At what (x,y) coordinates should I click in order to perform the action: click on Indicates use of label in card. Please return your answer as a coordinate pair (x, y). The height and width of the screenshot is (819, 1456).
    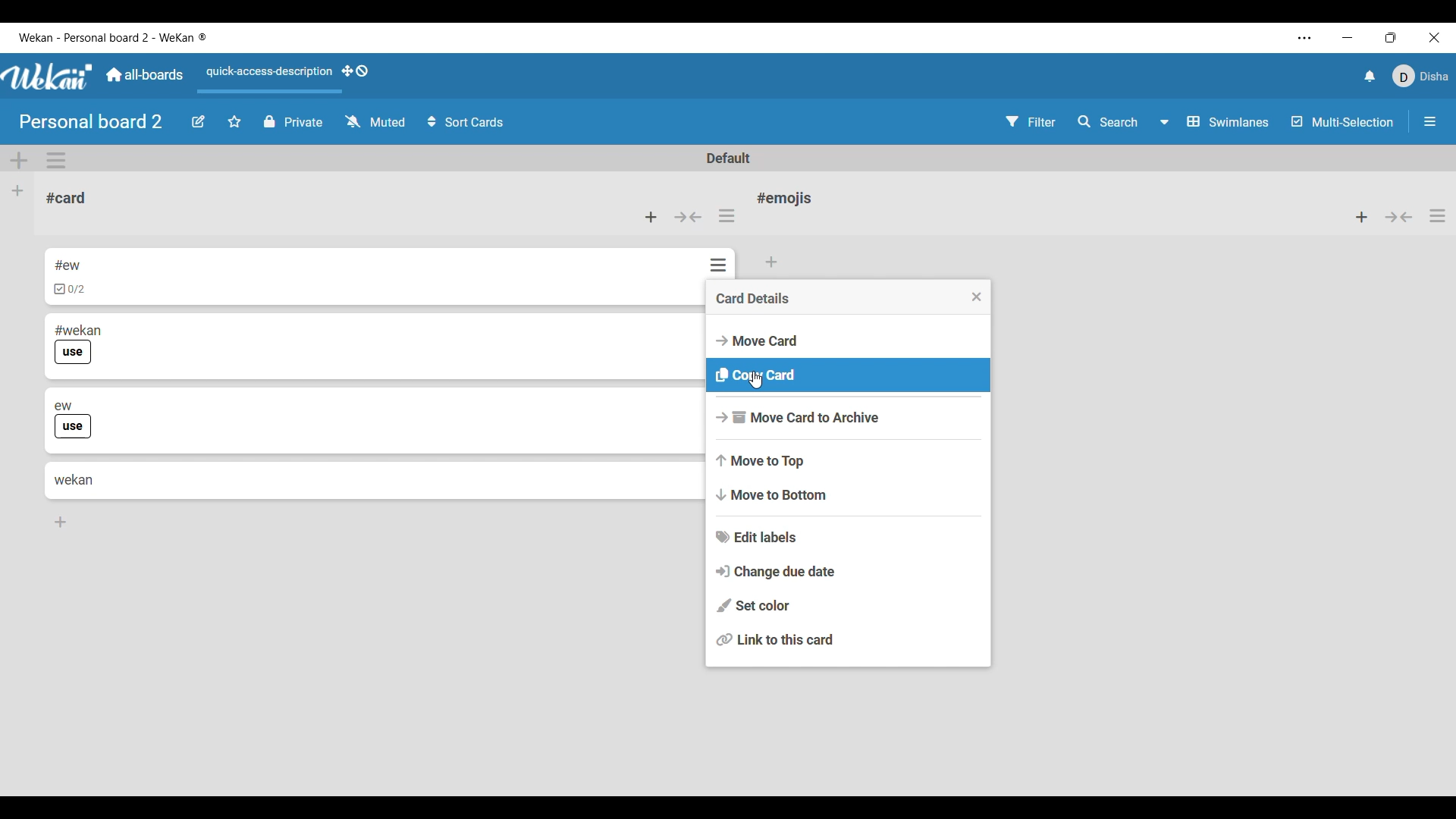
    Looking at the image, I should click on (74, 427).